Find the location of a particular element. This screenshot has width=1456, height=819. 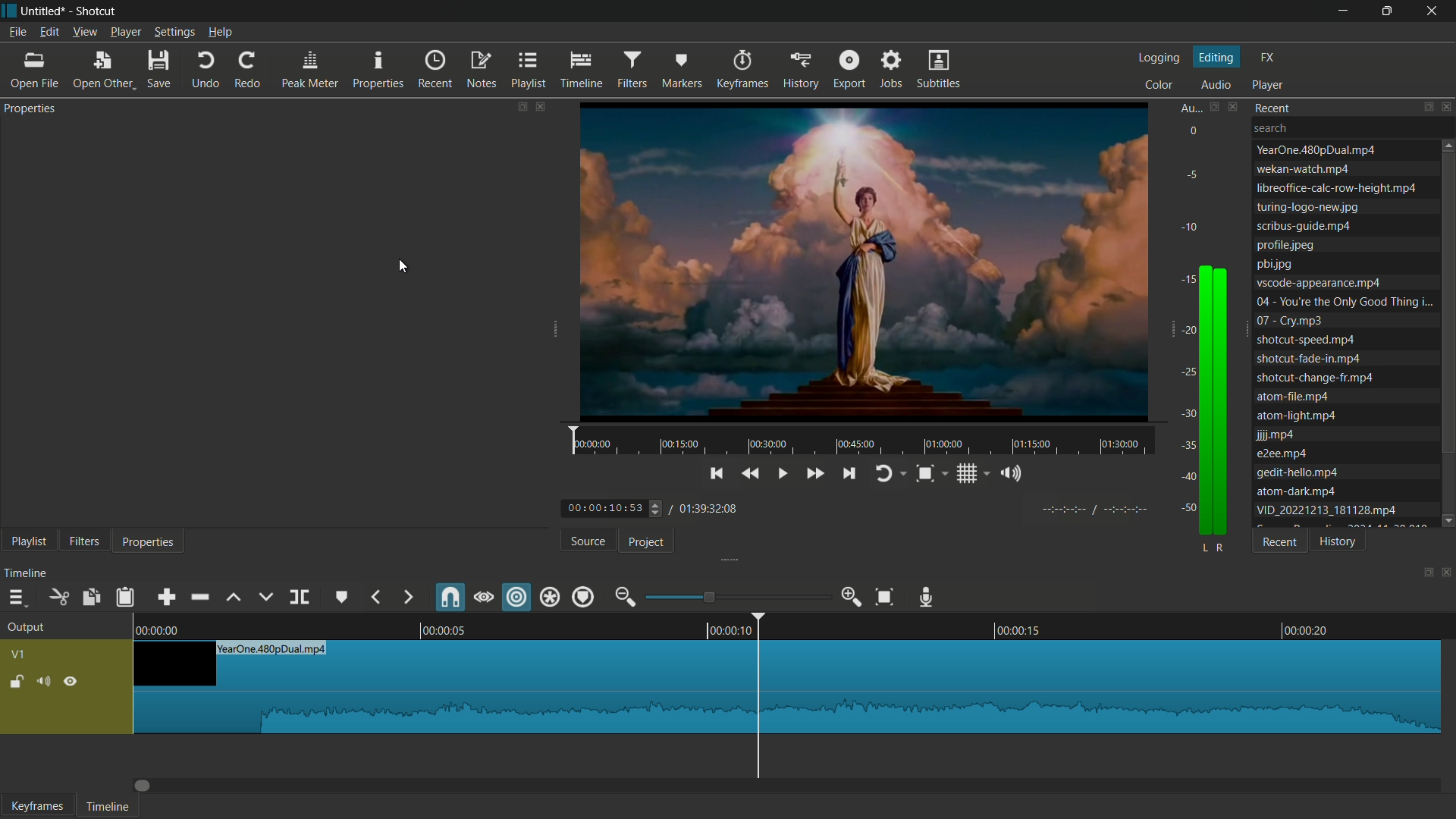

create or edit marker is located at coordinates (343, 598).